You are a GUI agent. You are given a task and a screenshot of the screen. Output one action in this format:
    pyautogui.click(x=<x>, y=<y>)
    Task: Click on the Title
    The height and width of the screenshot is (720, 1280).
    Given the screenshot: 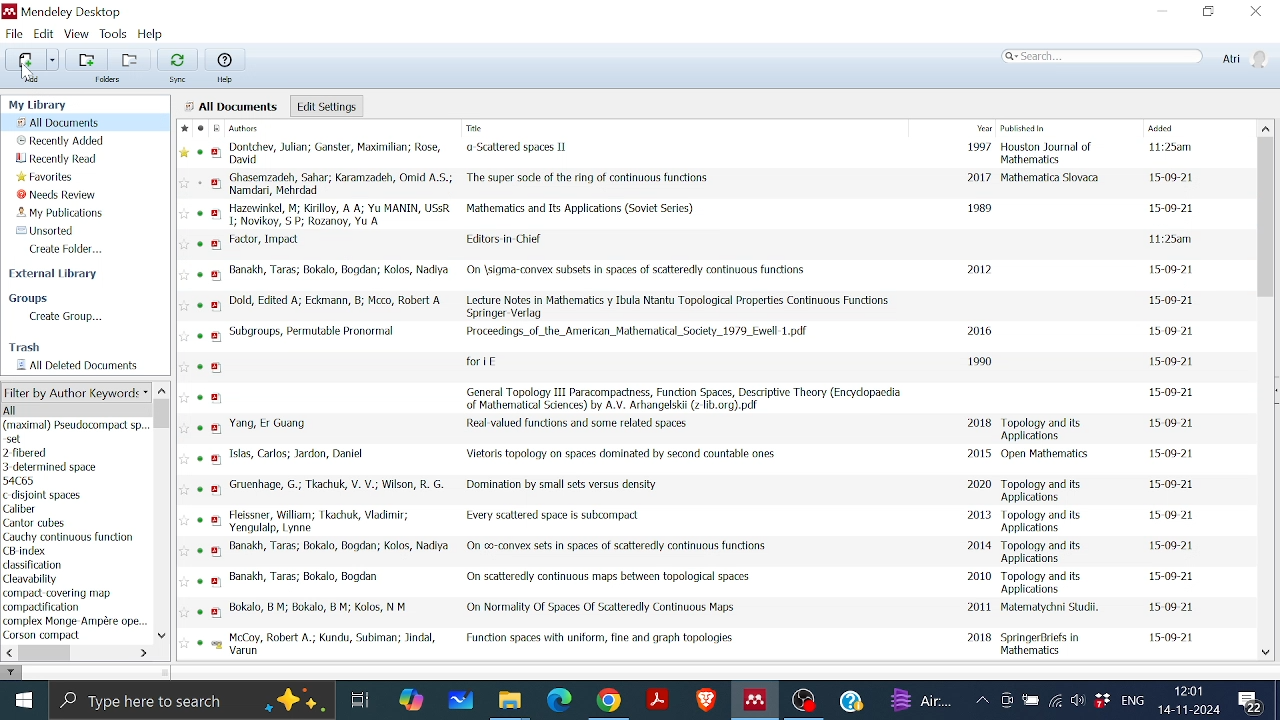 What is the action you would take?
    pyautogui.click(x=598, y=180)
    